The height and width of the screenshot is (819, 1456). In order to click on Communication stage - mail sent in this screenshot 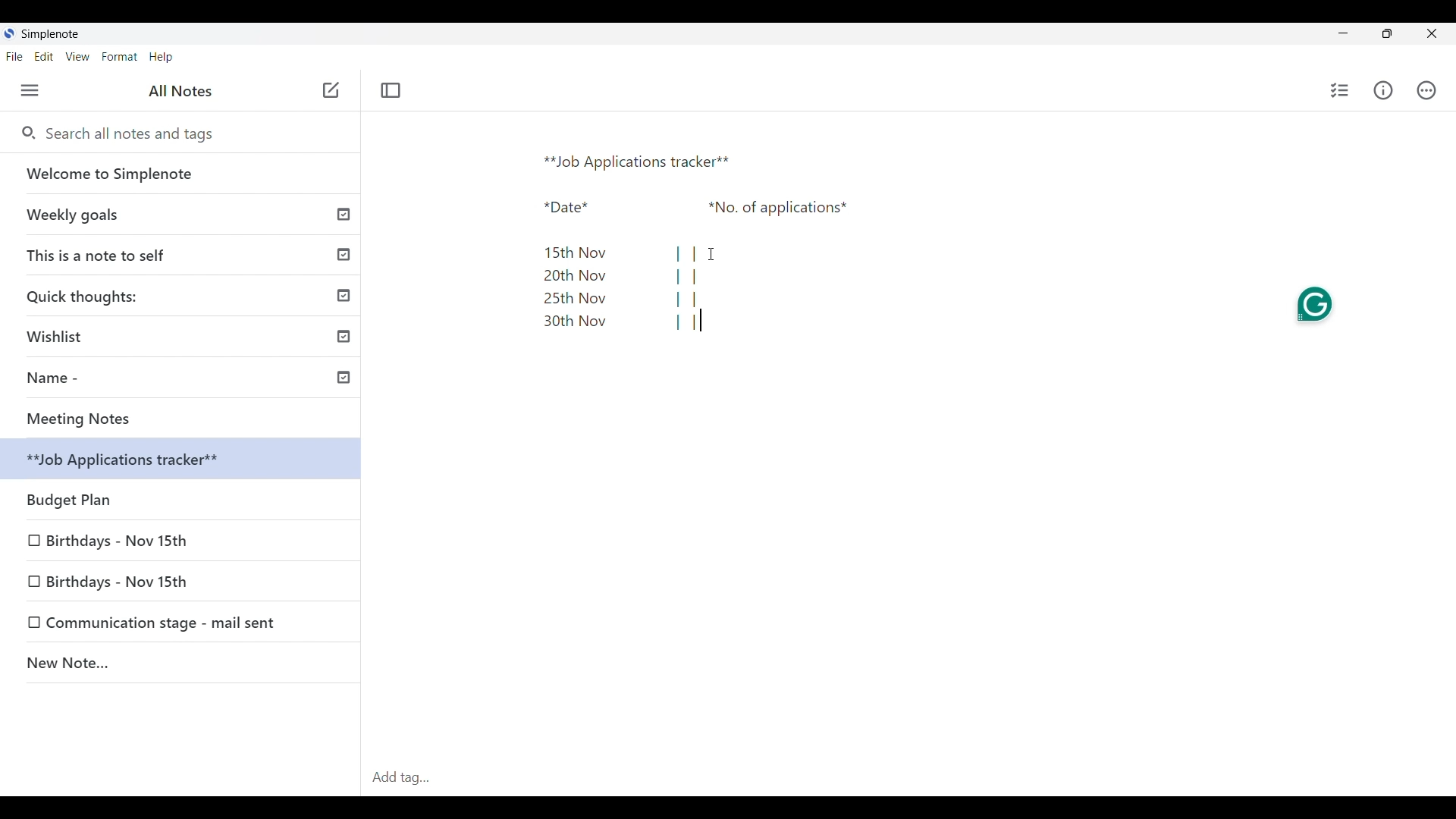, I will do `click(166, 623)`.